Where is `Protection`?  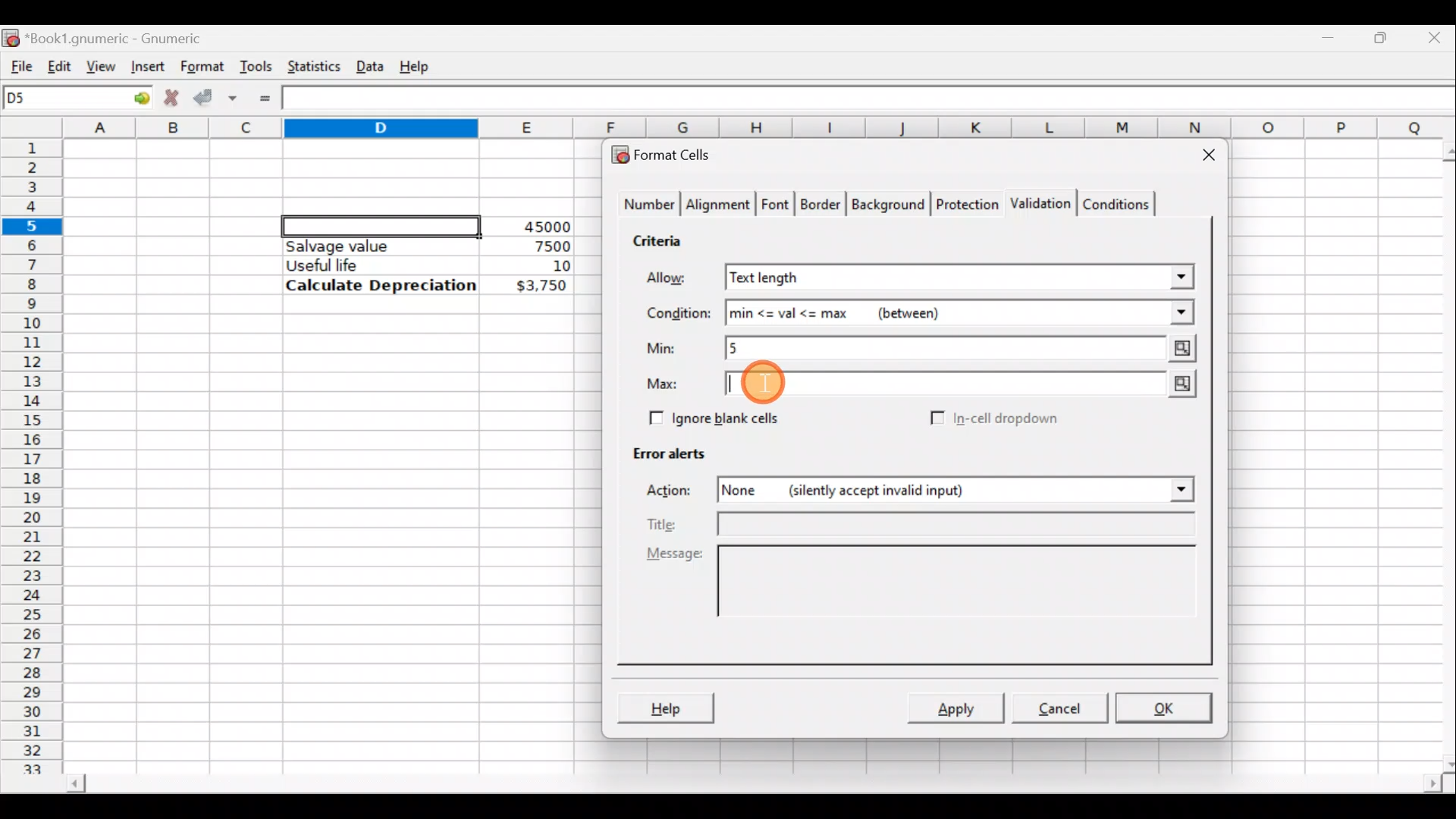 Protection is located at coordinates (964, 206).